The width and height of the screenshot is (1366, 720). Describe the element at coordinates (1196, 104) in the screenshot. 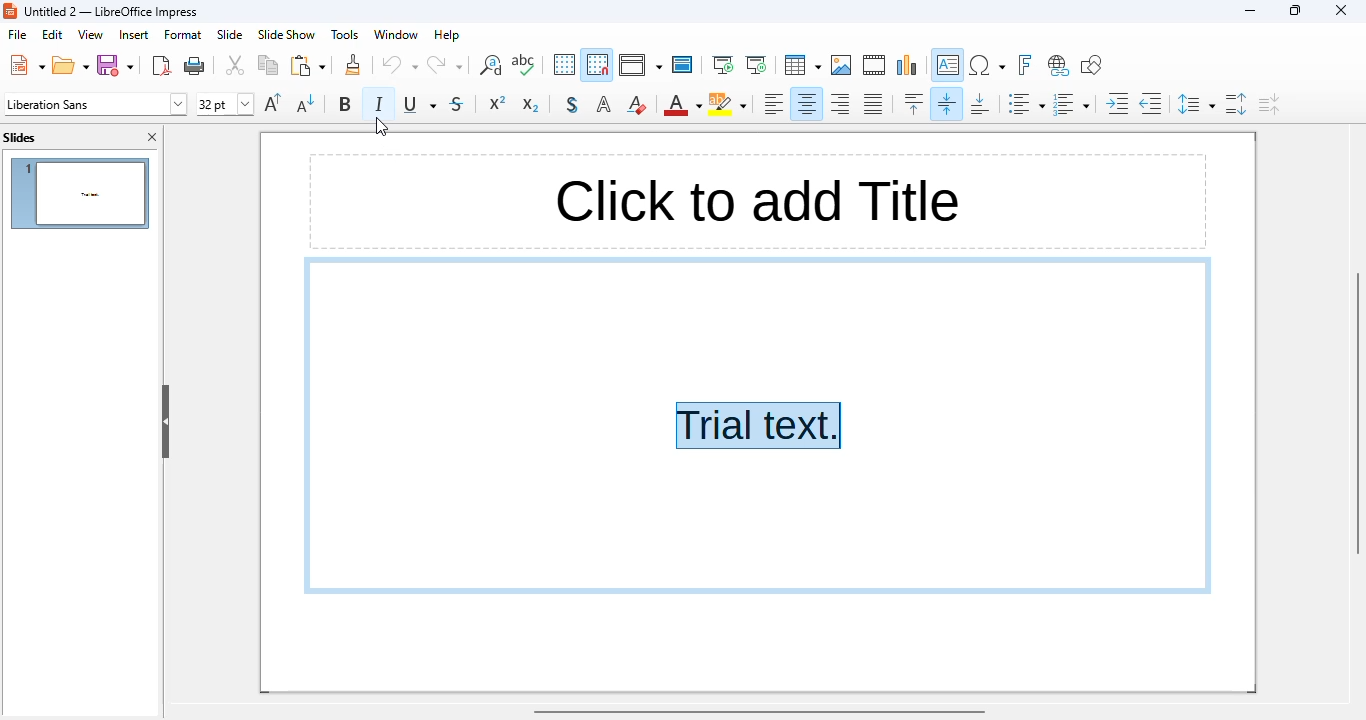

I see `set line spacing` at that location.